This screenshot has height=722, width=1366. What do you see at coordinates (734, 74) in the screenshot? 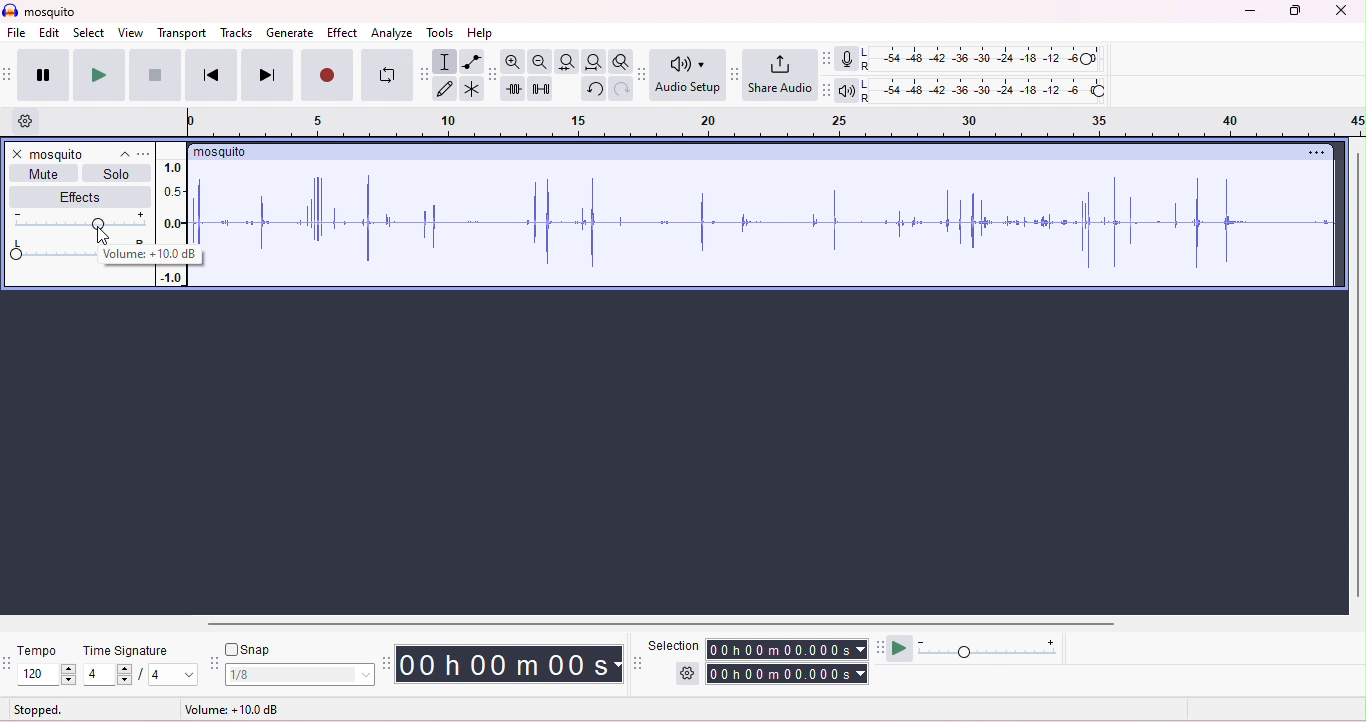
I see `share audio tool bar` at bounding box center [734, 74].